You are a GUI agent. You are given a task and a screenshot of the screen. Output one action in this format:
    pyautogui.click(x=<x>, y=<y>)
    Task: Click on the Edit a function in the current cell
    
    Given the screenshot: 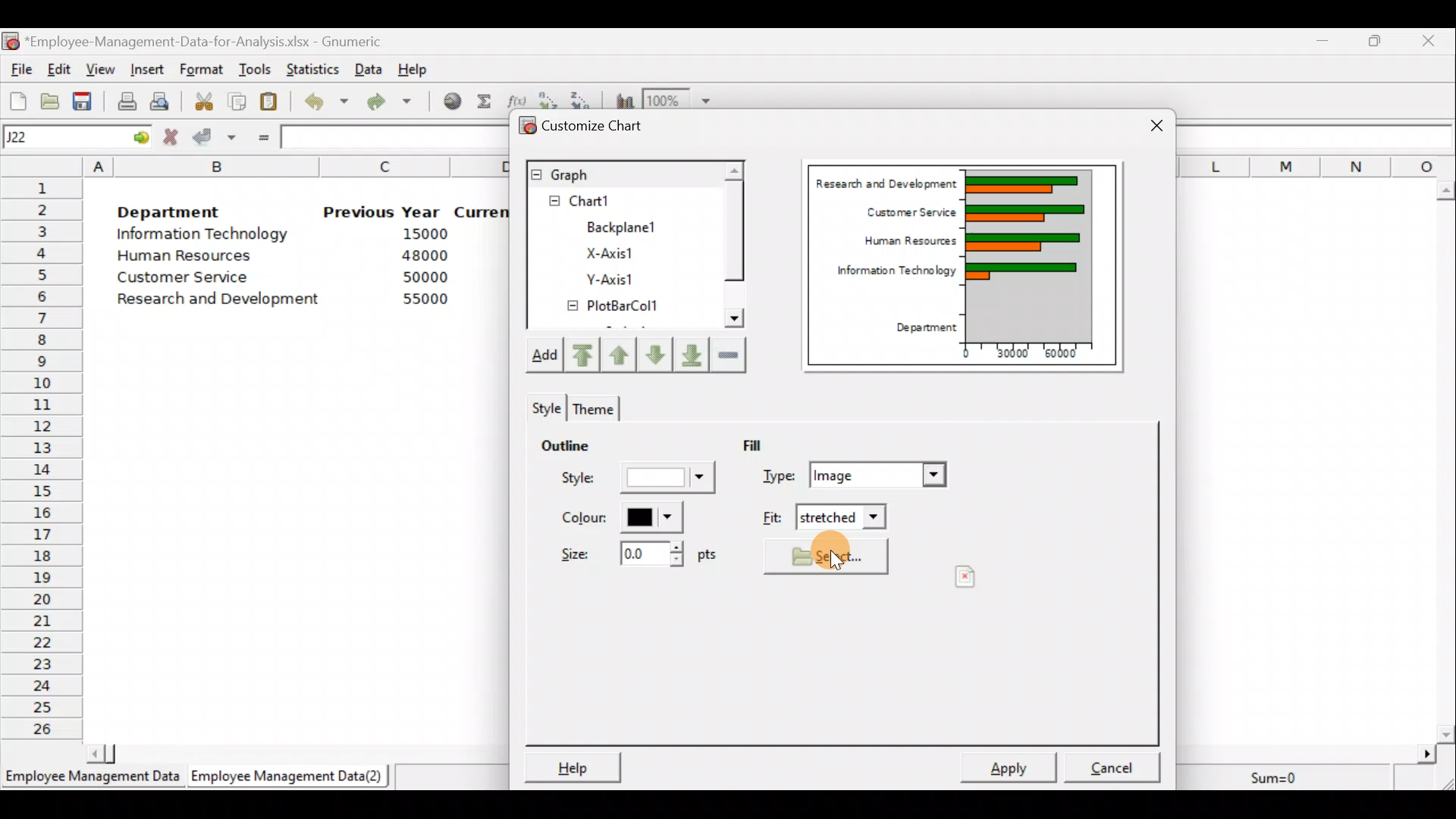 What is the action you would take?
    pyautogui.click(x=517, y=99)
    